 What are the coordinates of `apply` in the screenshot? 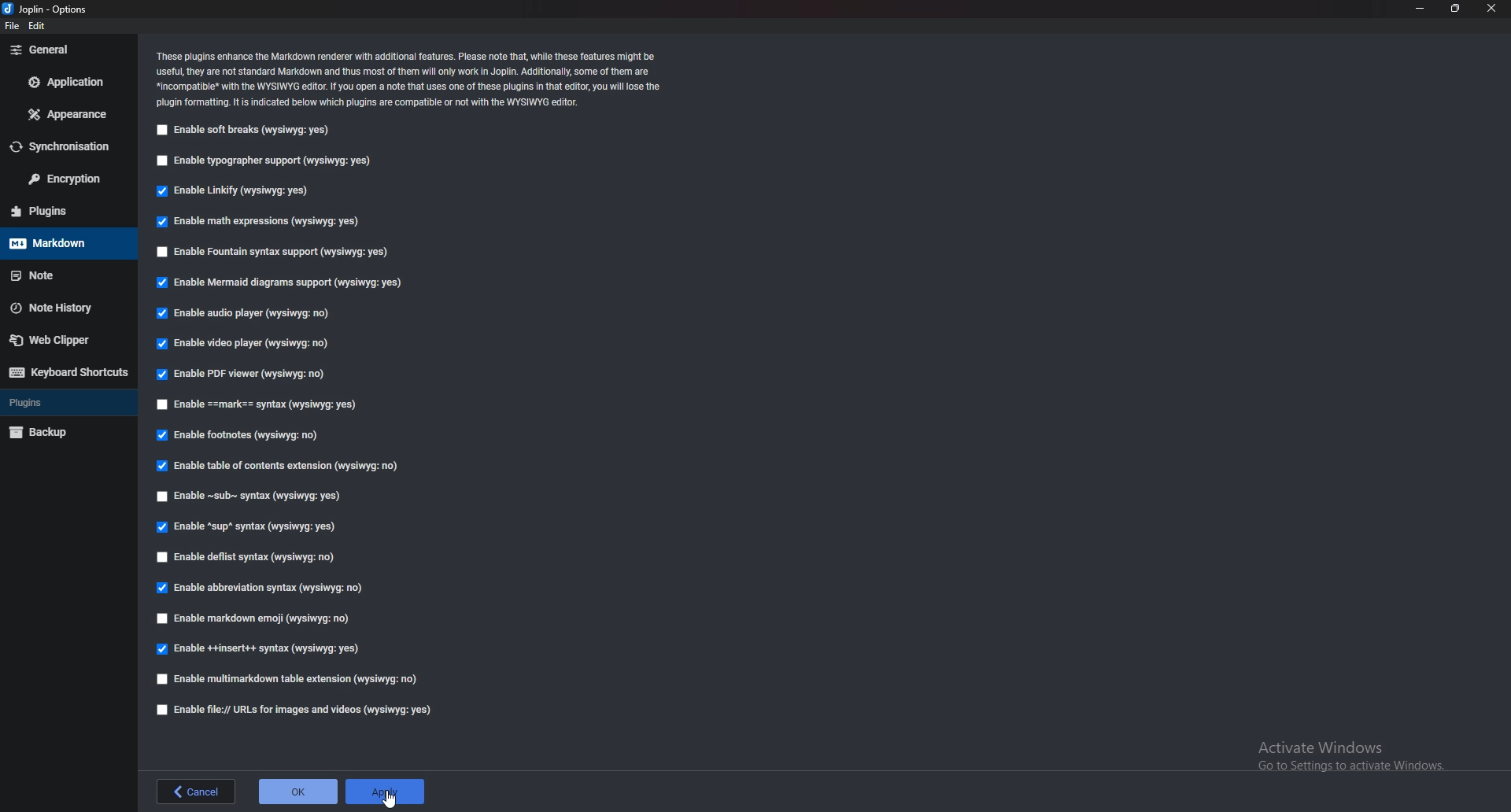 It's located at (386, 792).